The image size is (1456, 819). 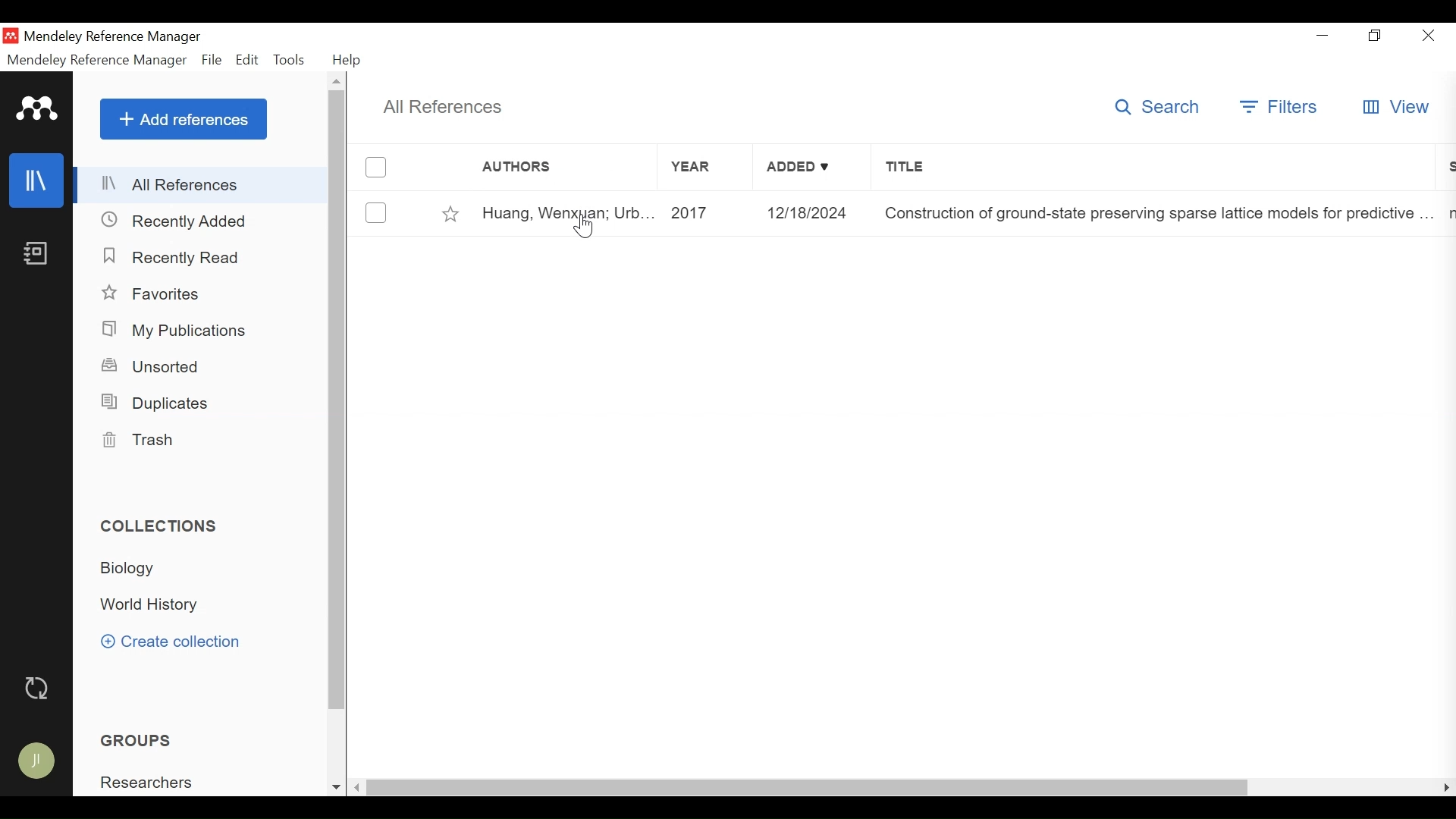 What do you see at coordinates (185, 330) in the screenshot?
I see `My Publications` at bounding box center [185, 330].